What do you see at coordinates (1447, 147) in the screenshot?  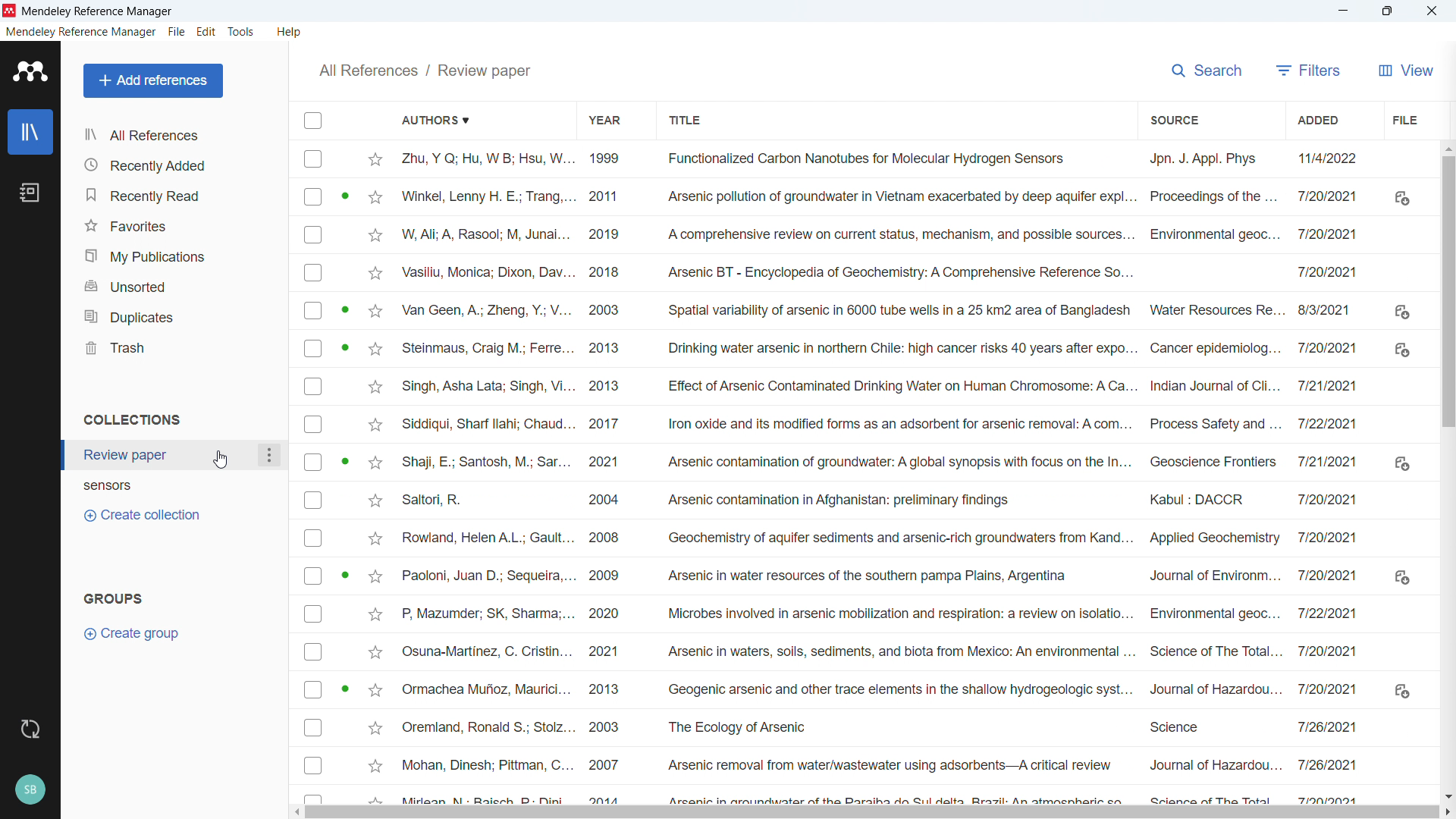 I see `Scroll up ` at bounding box center [1447, 147].